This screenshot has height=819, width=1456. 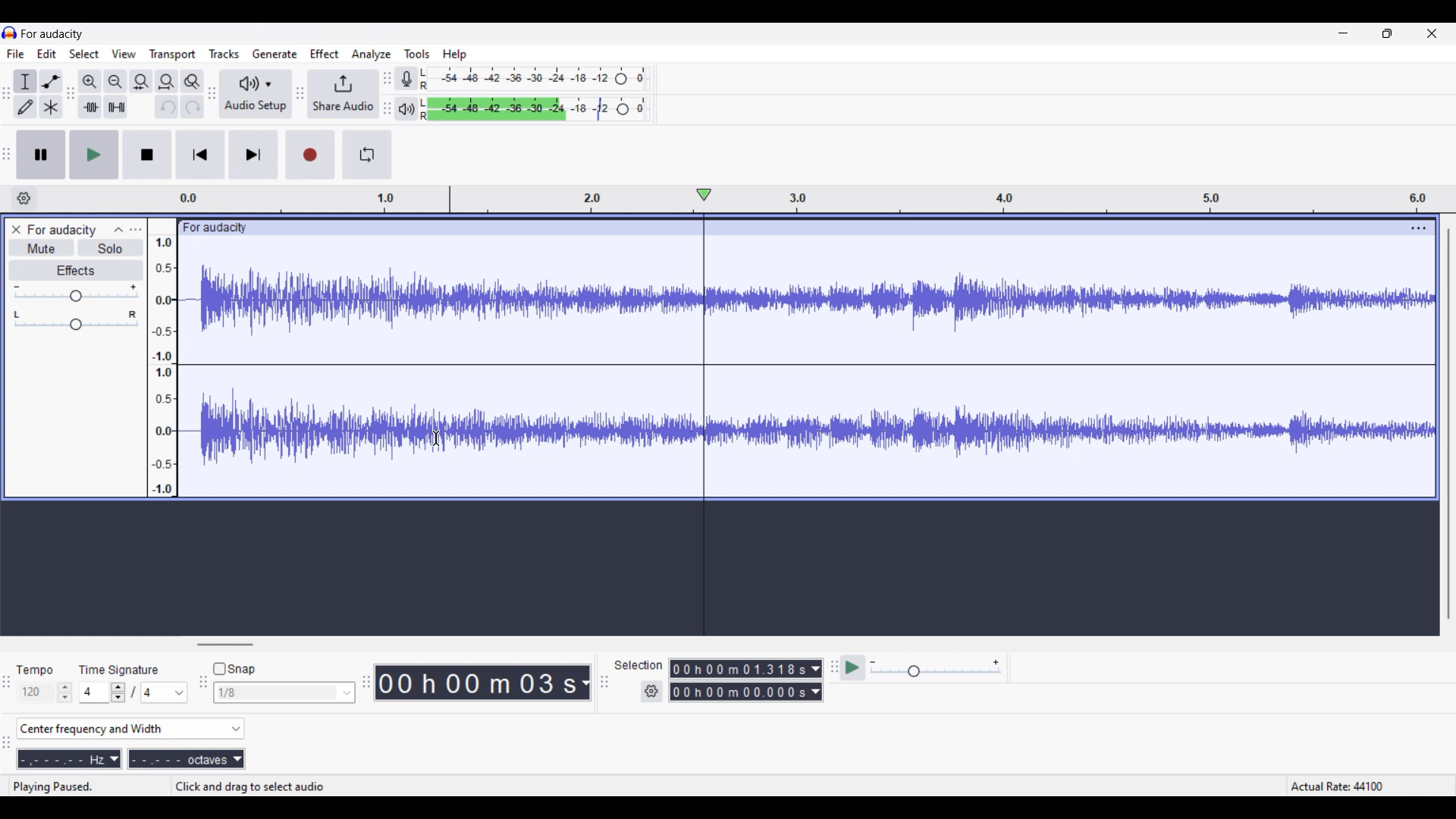 I want to click on Playback speed scale, so click(x=934, y=668).